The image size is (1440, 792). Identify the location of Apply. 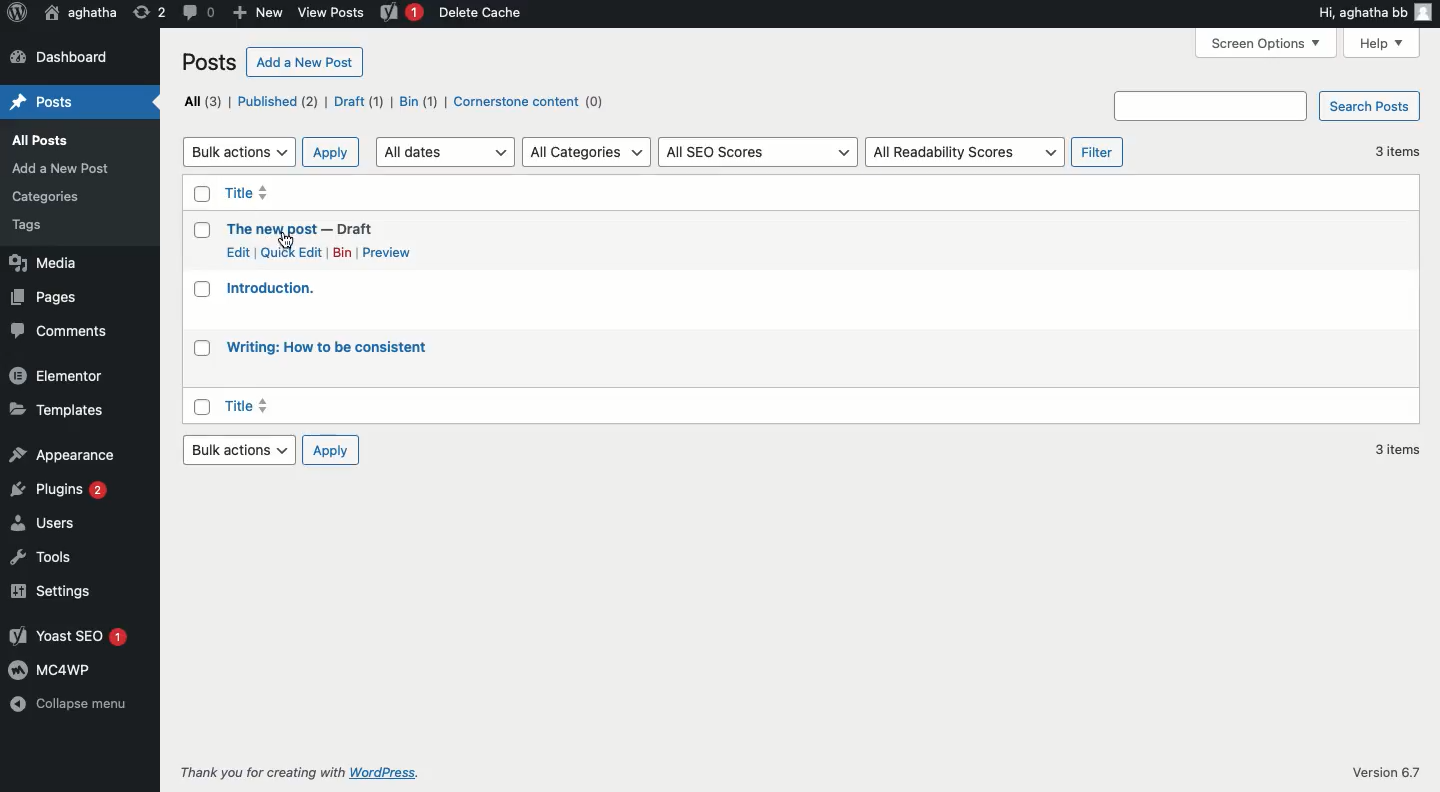
(328, 449).